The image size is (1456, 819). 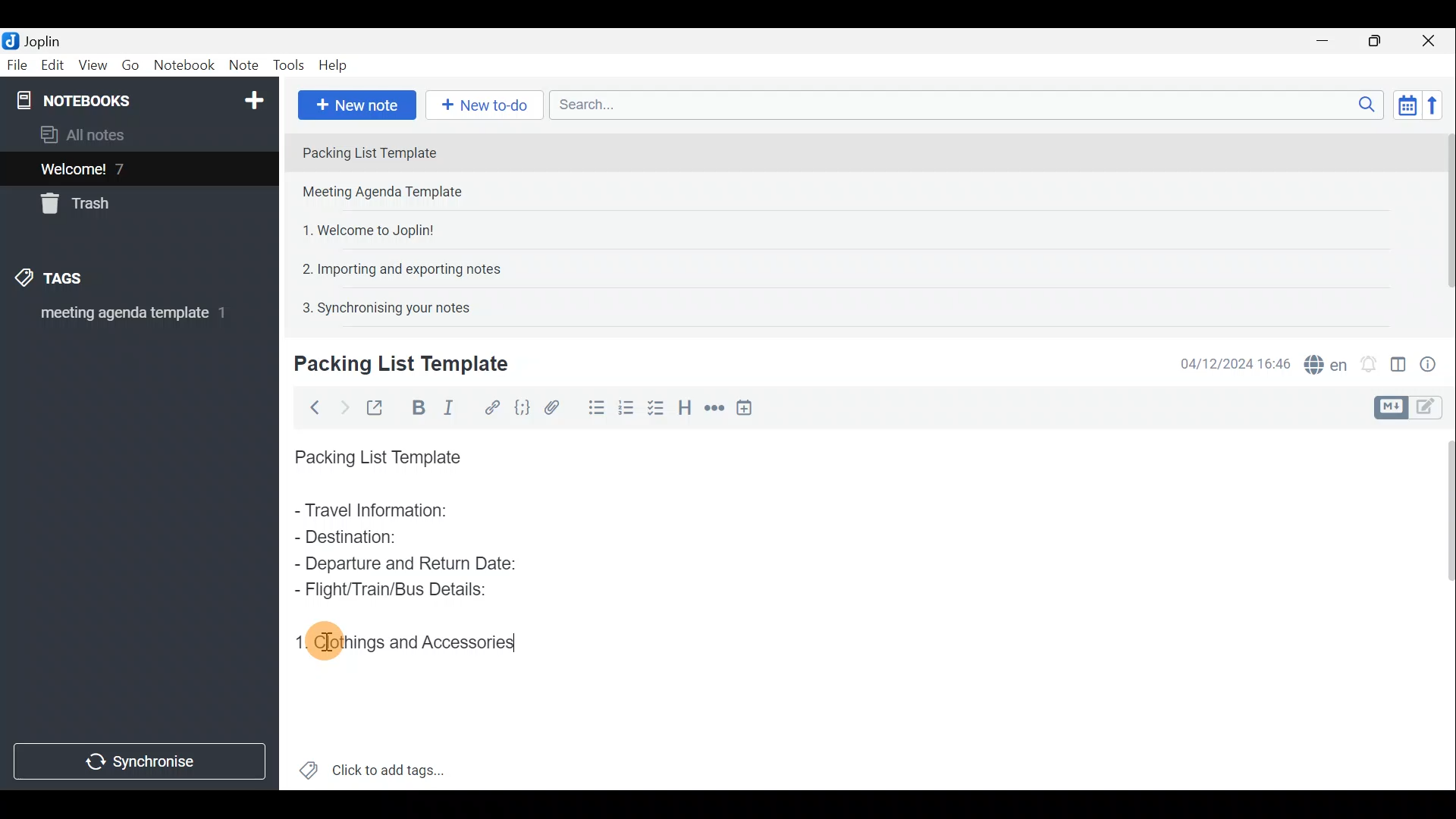 I want to click on cursor, so click(x=328, y=644).